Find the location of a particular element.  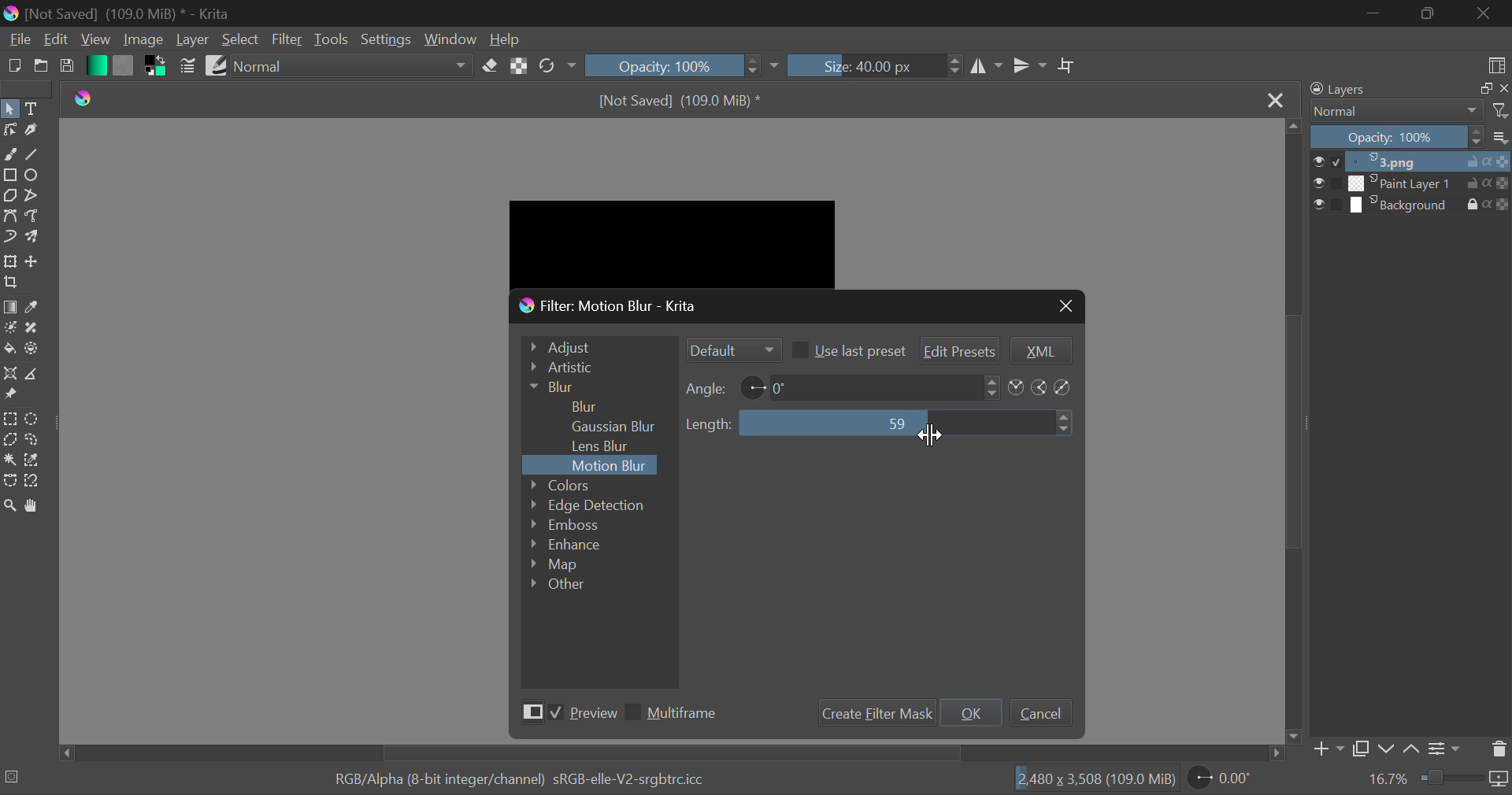

Open is located at coordinates (39, 68).